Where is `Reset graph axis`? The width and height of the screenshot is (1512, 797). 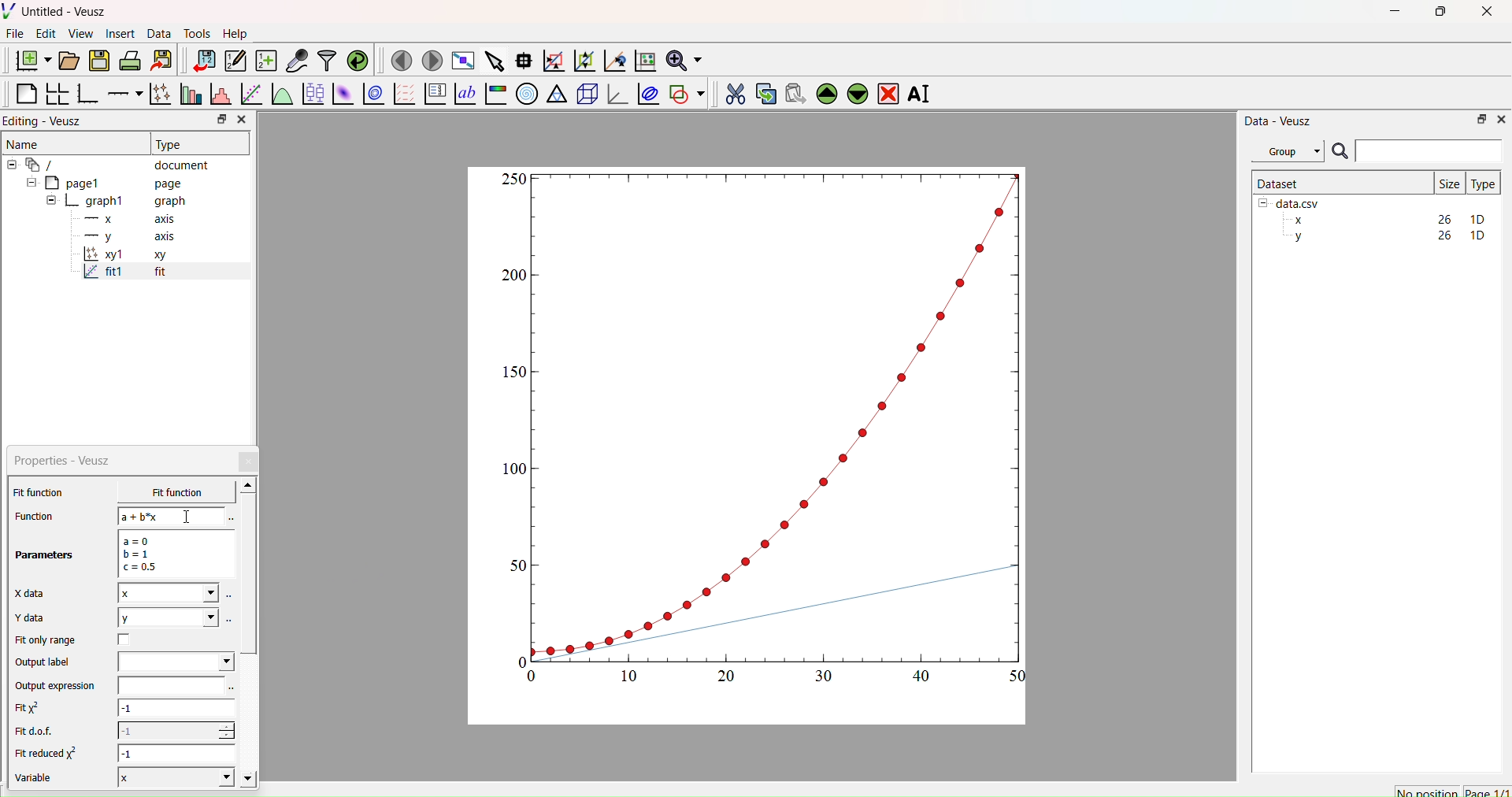
Reset graph axis is located at coordinates (643, 60).